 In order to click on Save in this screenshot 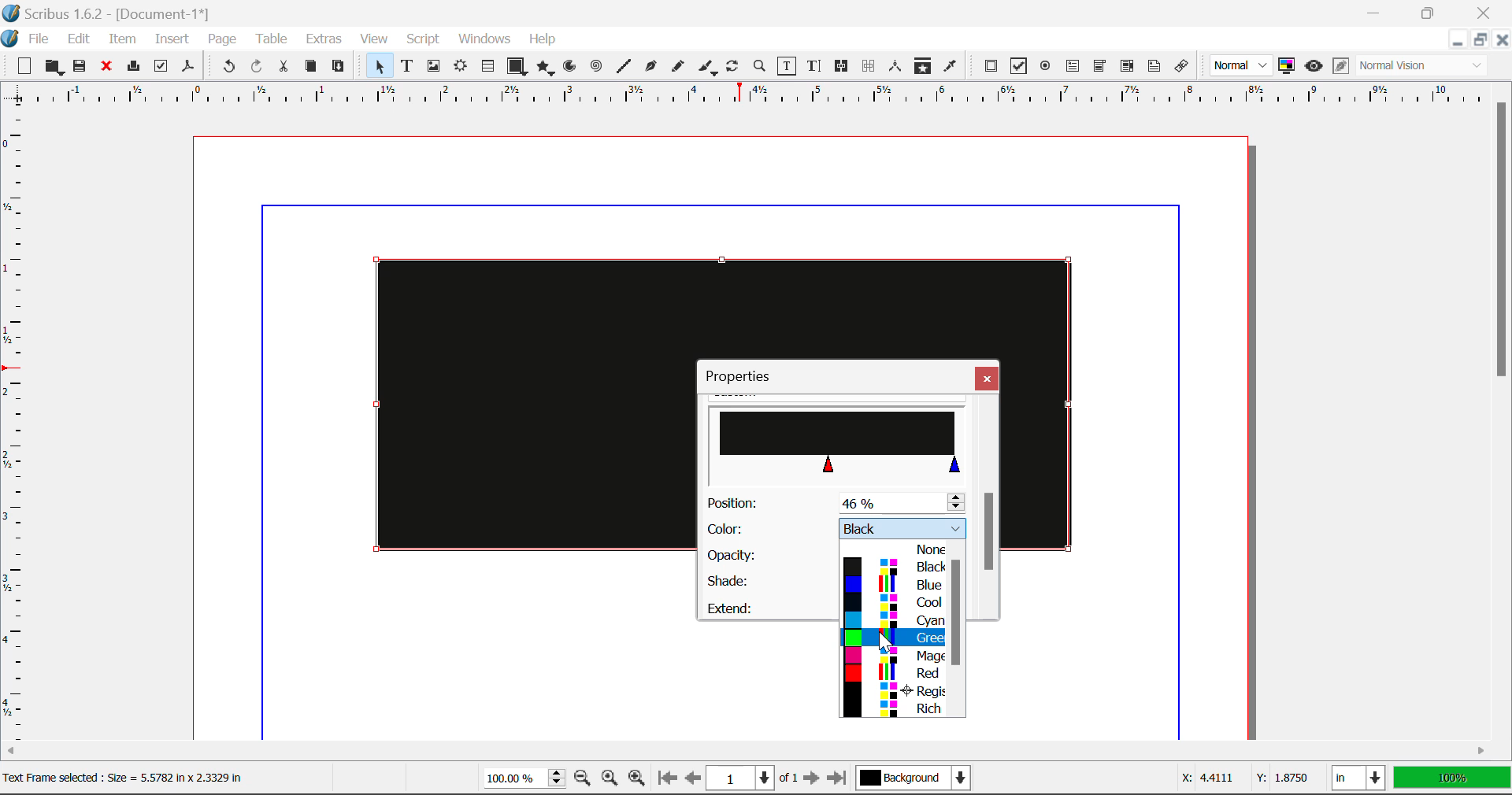, I will do `click(81, 67)`.